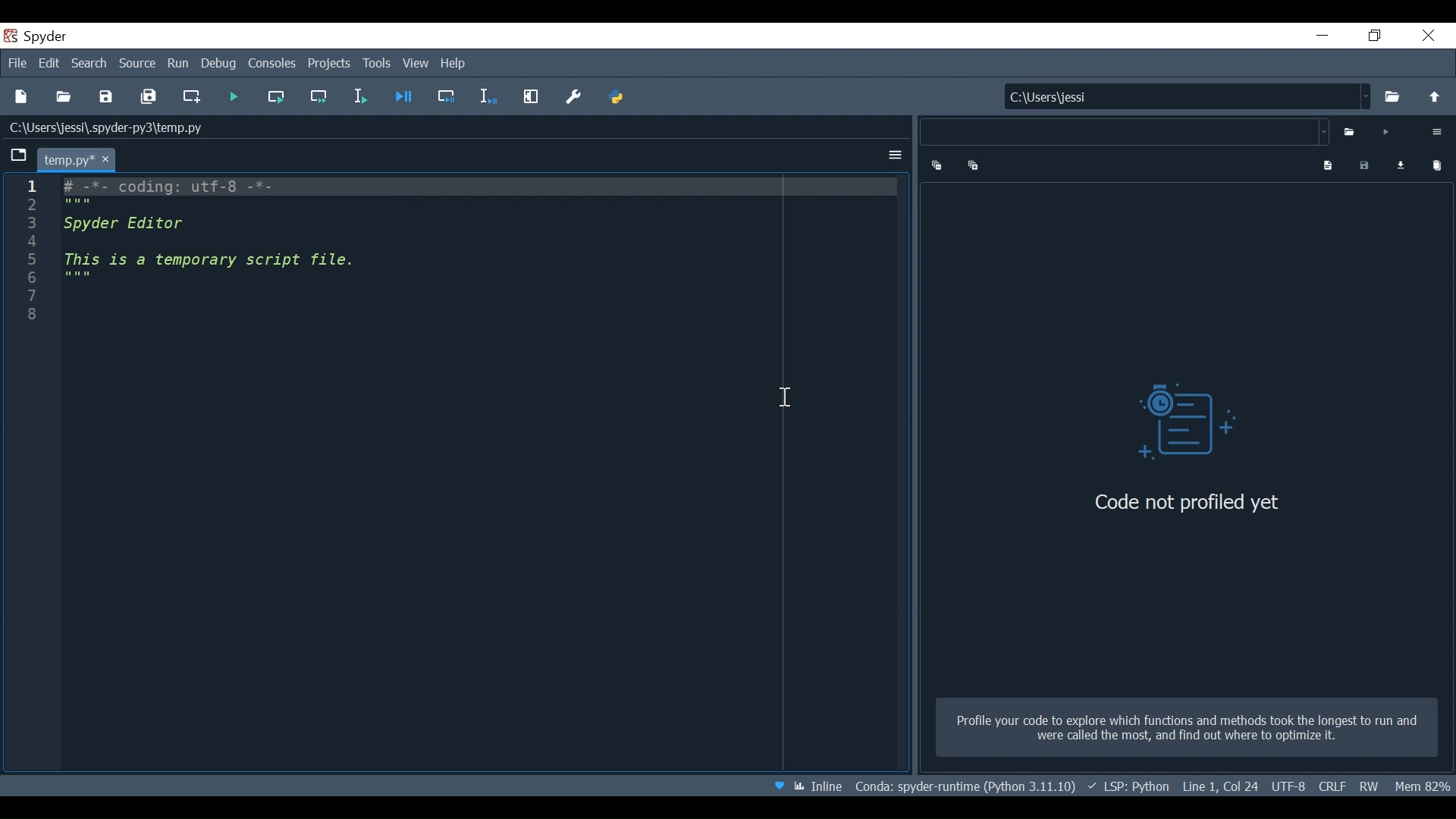  I want to click on C:\Users\jessi, so click(1189, 96).